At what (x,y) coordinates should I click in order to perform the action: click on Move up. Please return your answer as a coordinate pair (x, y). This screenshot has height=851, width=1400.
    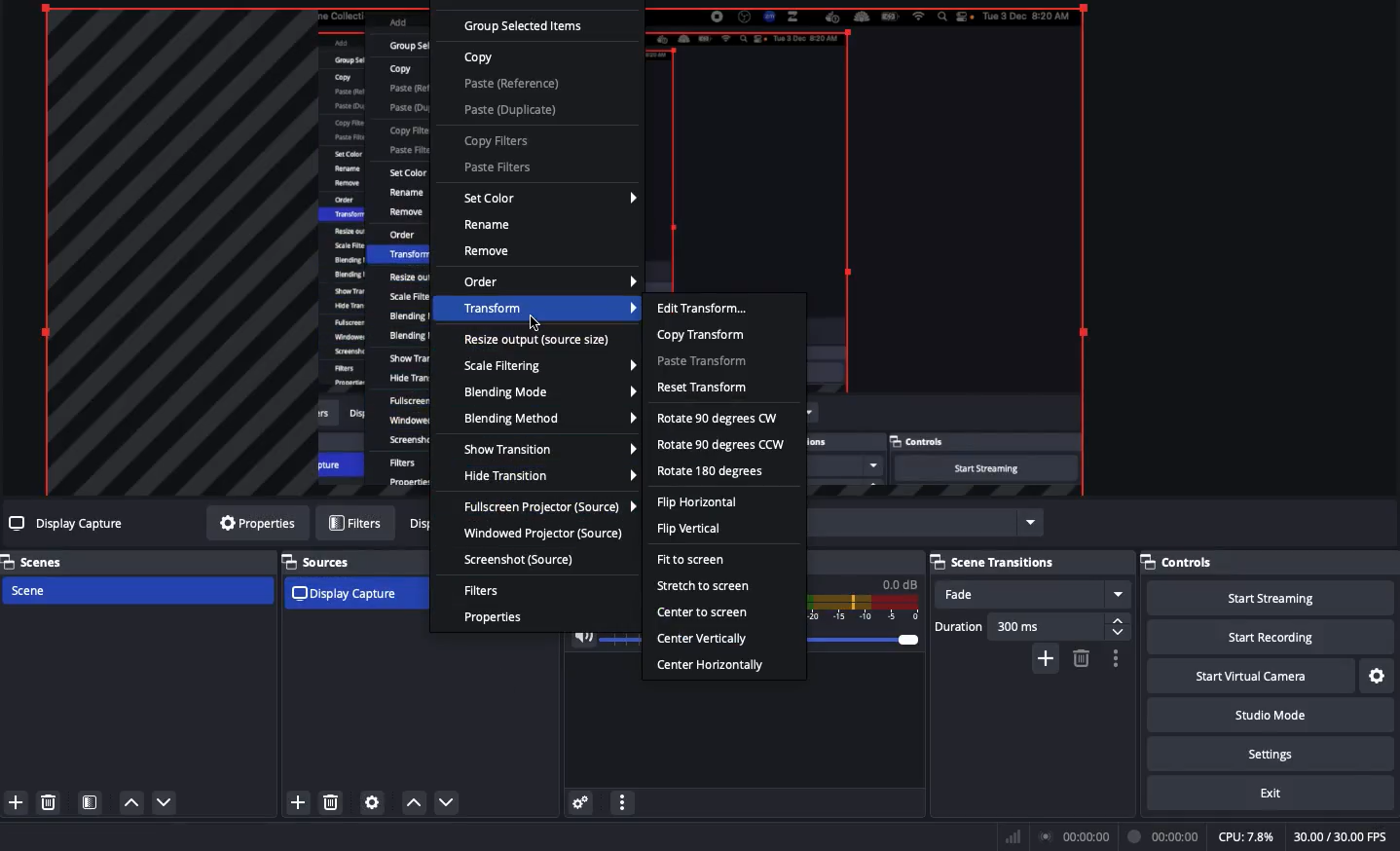
    Looking at the image, I should click on (133, 805).